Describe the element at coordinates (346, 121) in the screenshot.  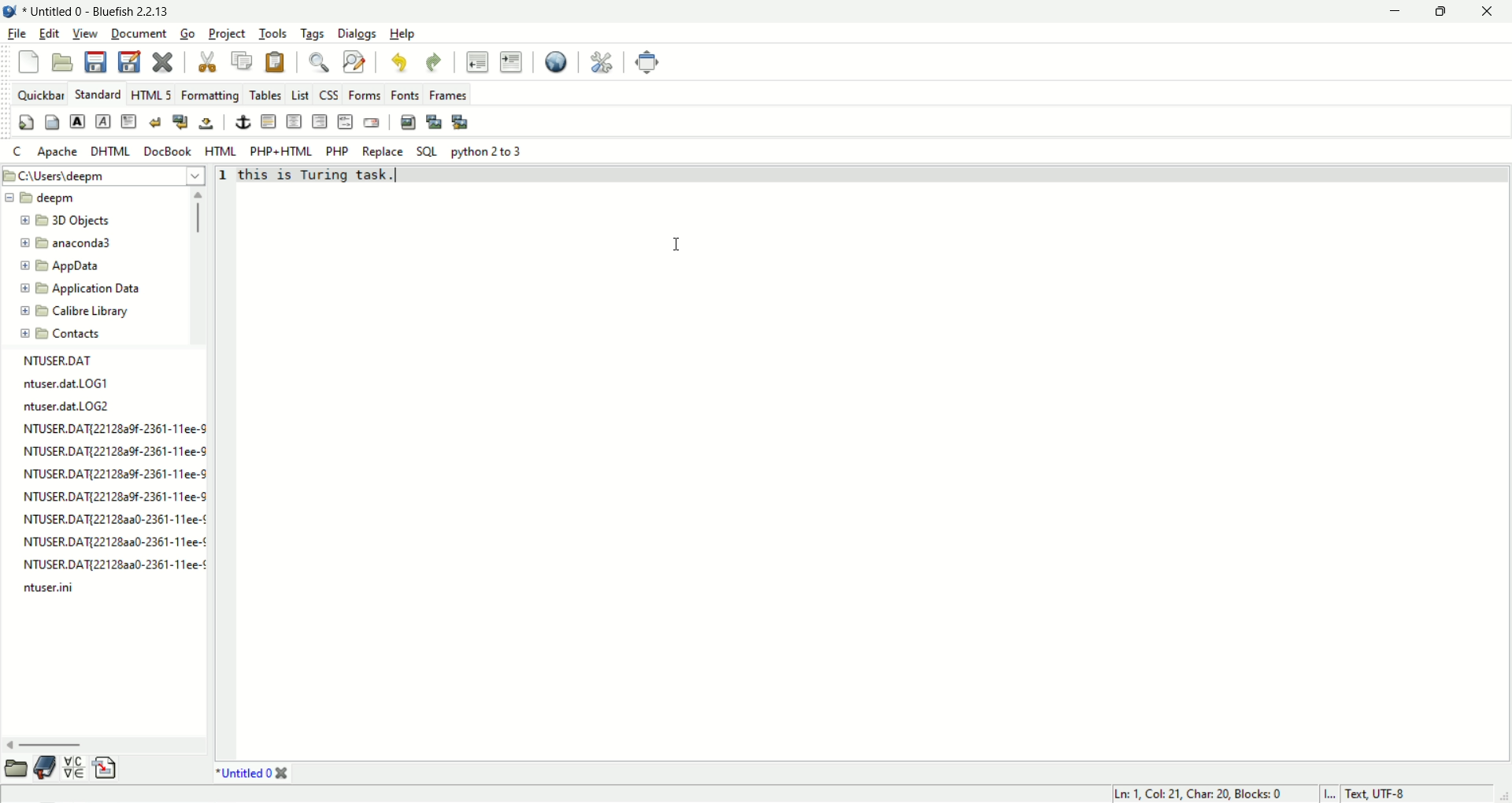
I see `html comment` at that location.